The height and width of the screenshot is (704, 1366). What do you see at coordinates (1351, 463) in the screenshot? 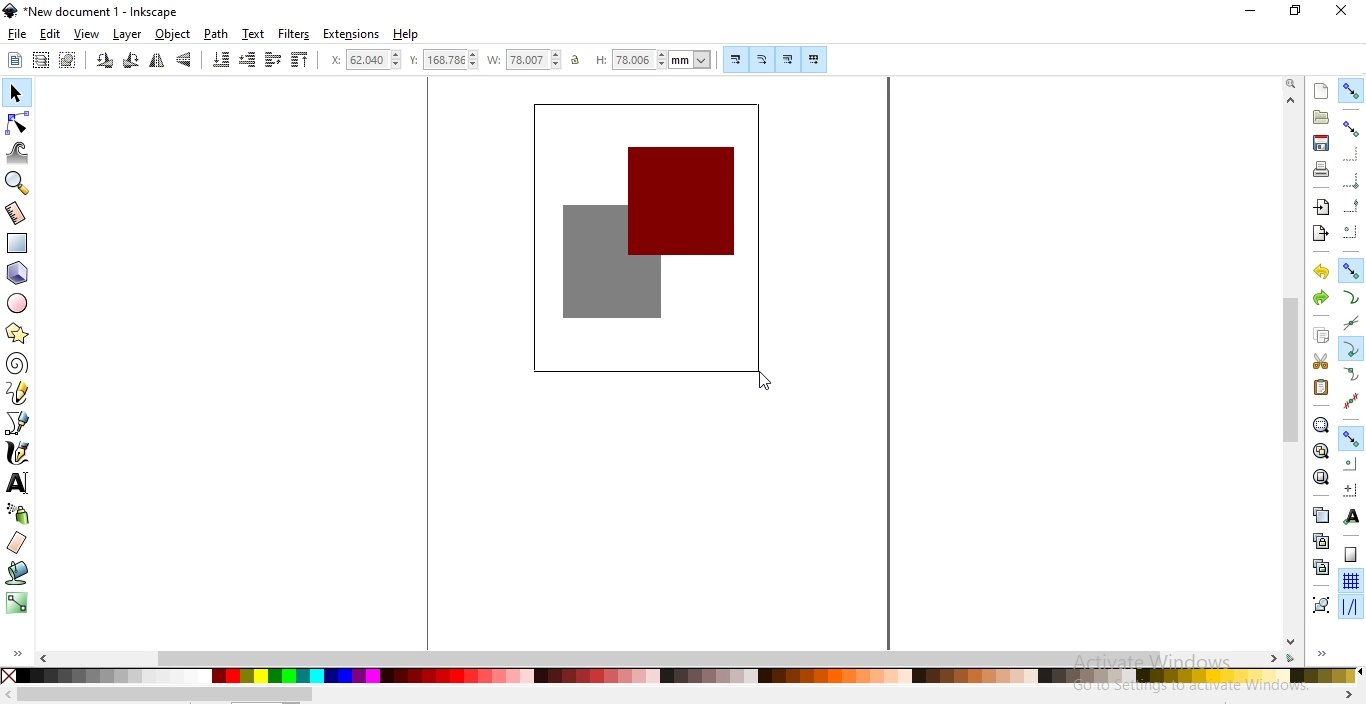
I see `snap centers of objects` at bounding box center [1351, 463].